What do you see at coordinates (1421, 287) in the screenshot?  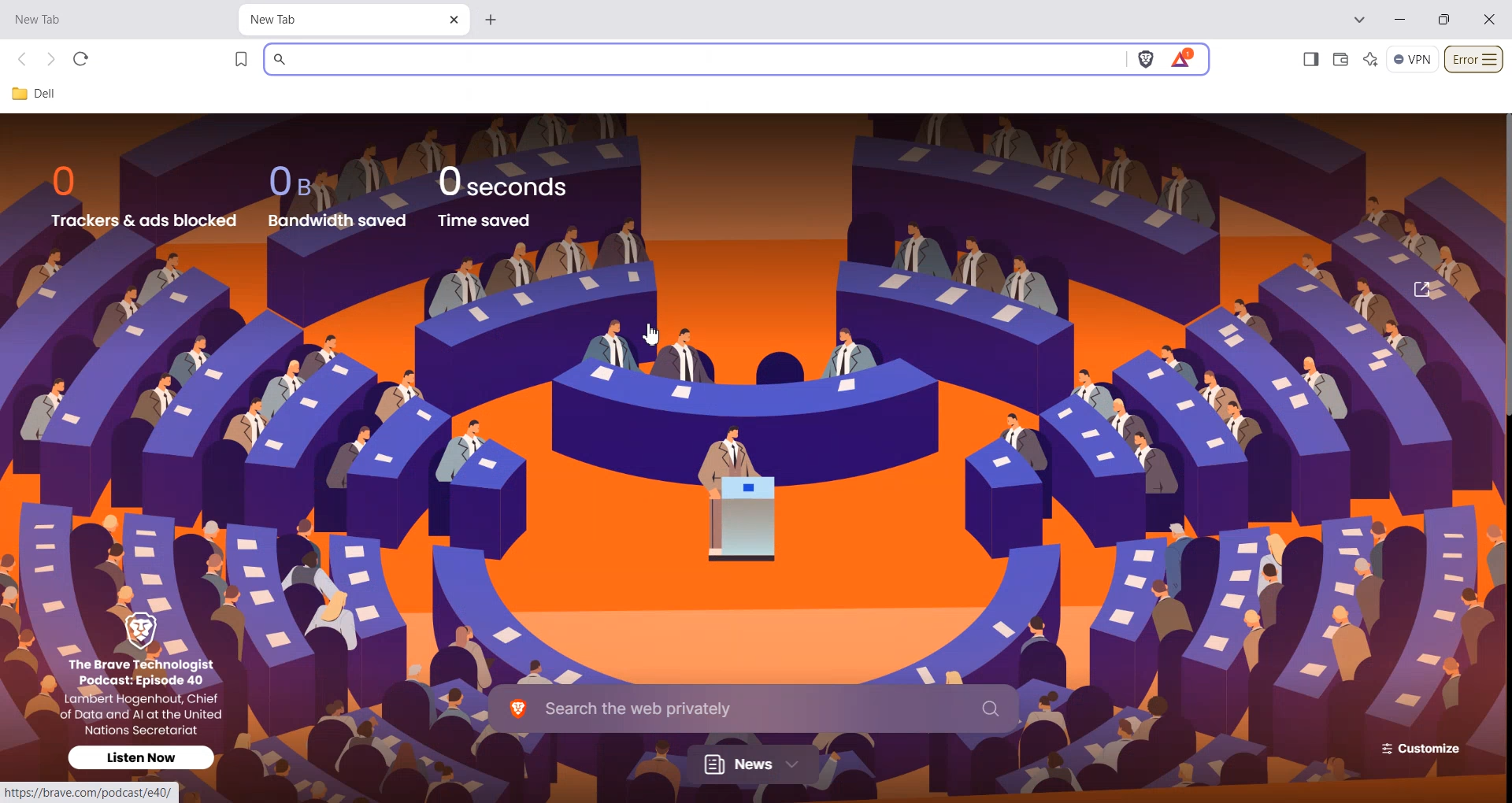 I see `move` at bounding box center [1421, 287].